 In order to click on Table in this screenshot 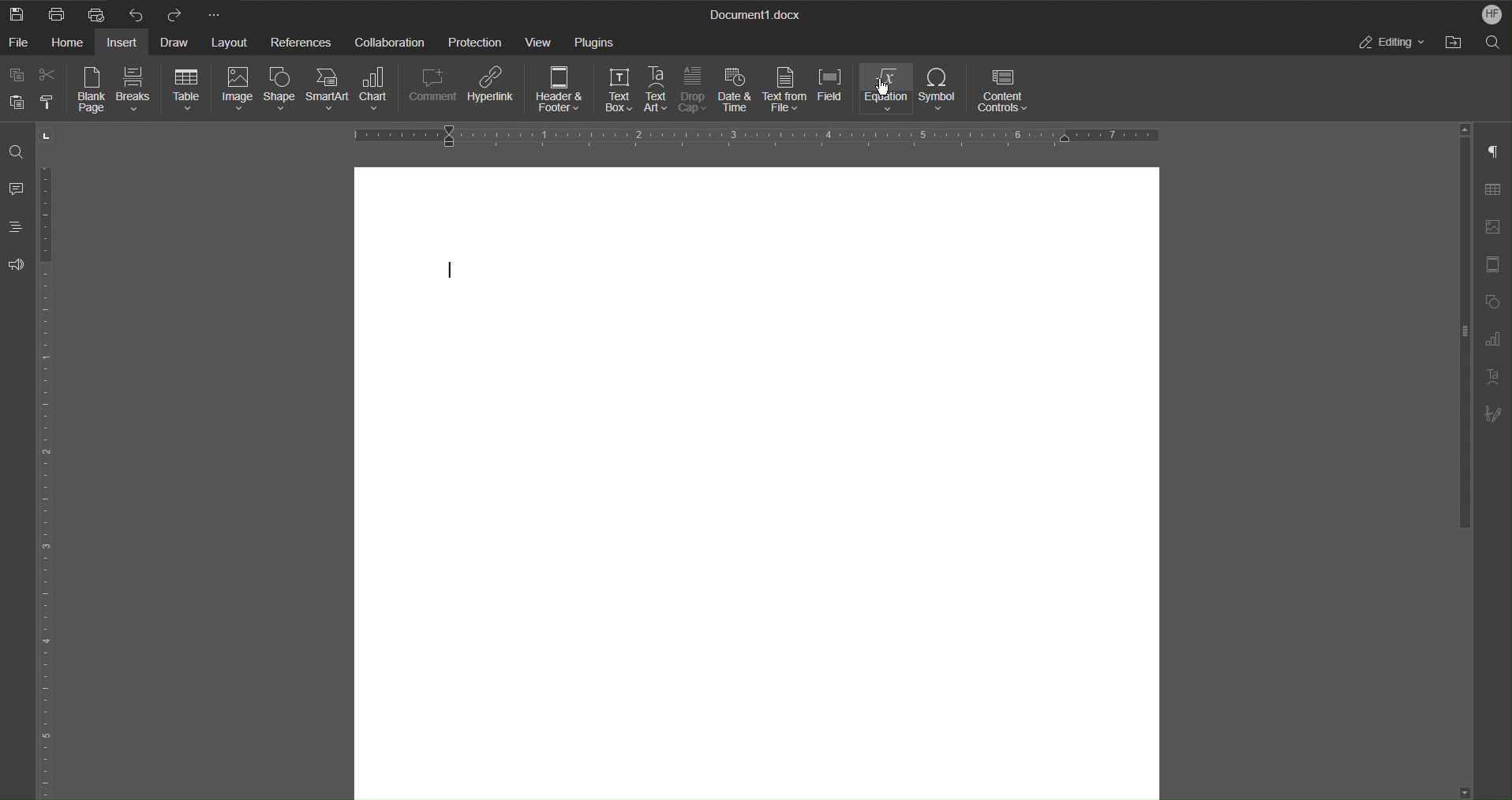, I will do `click(1492, 192)`.